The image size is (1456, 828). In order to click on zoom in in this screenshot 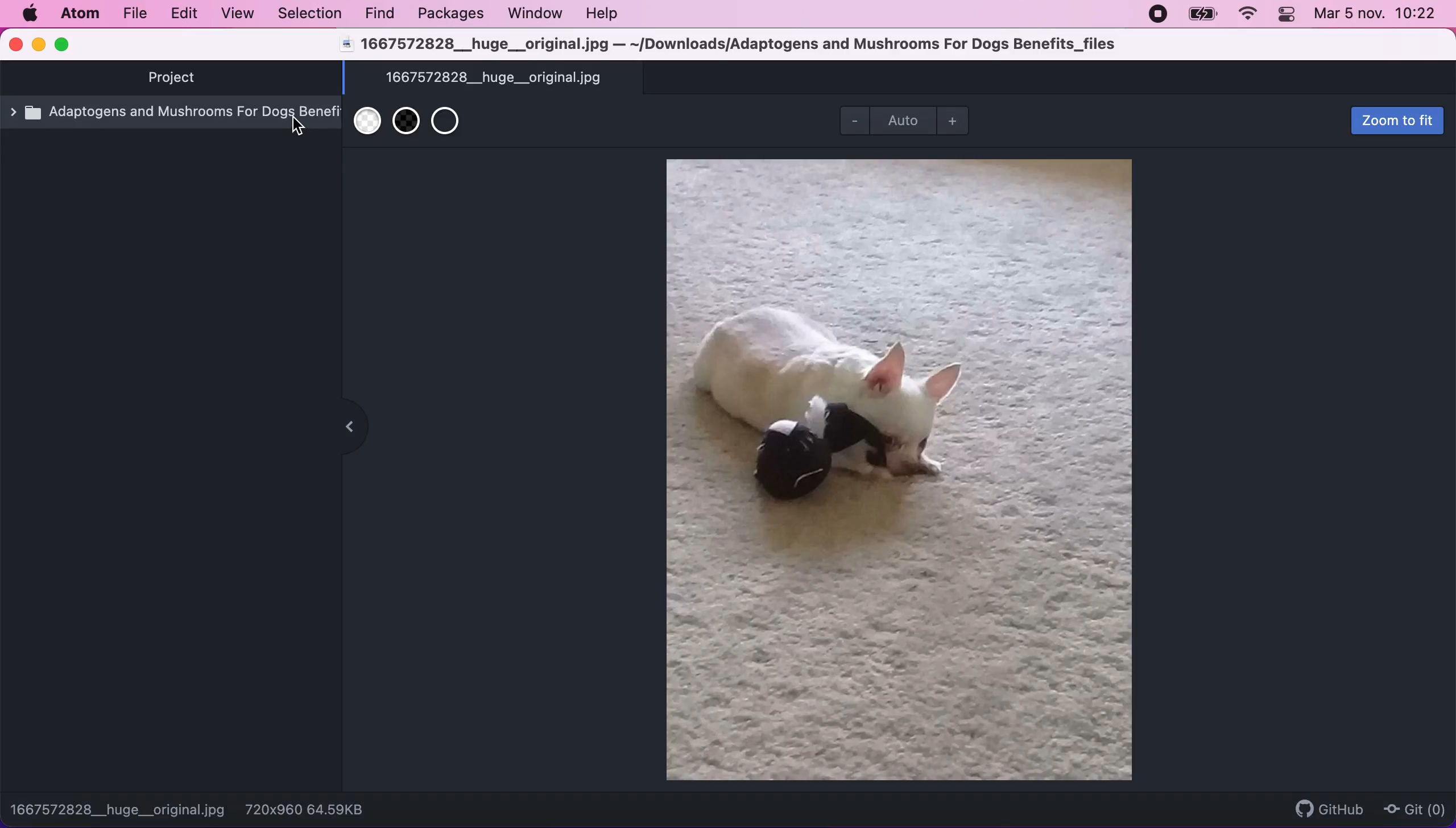, I will do `click(958, 122)`.